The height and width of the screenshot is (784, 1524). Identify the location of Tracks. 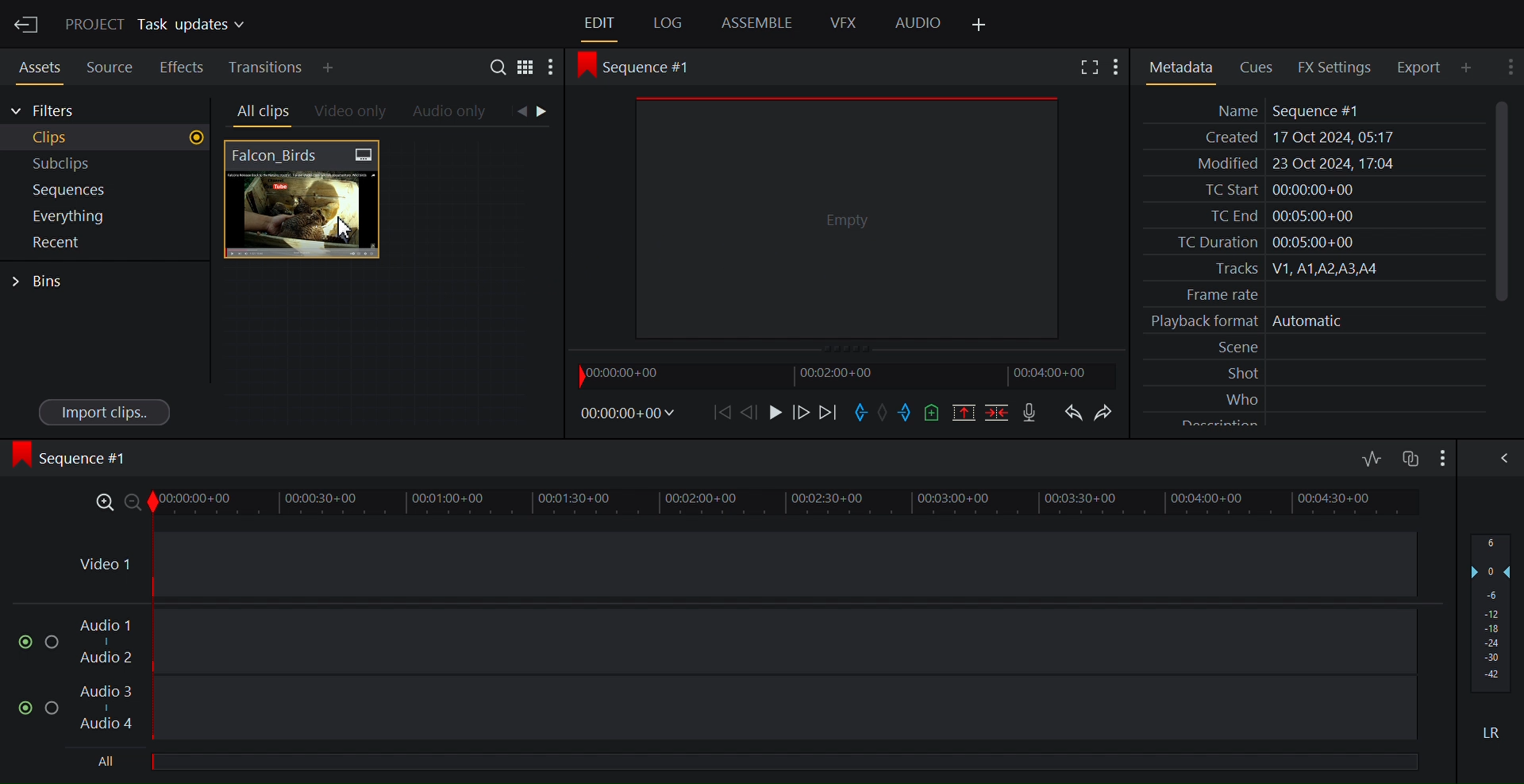
(1312, 269).